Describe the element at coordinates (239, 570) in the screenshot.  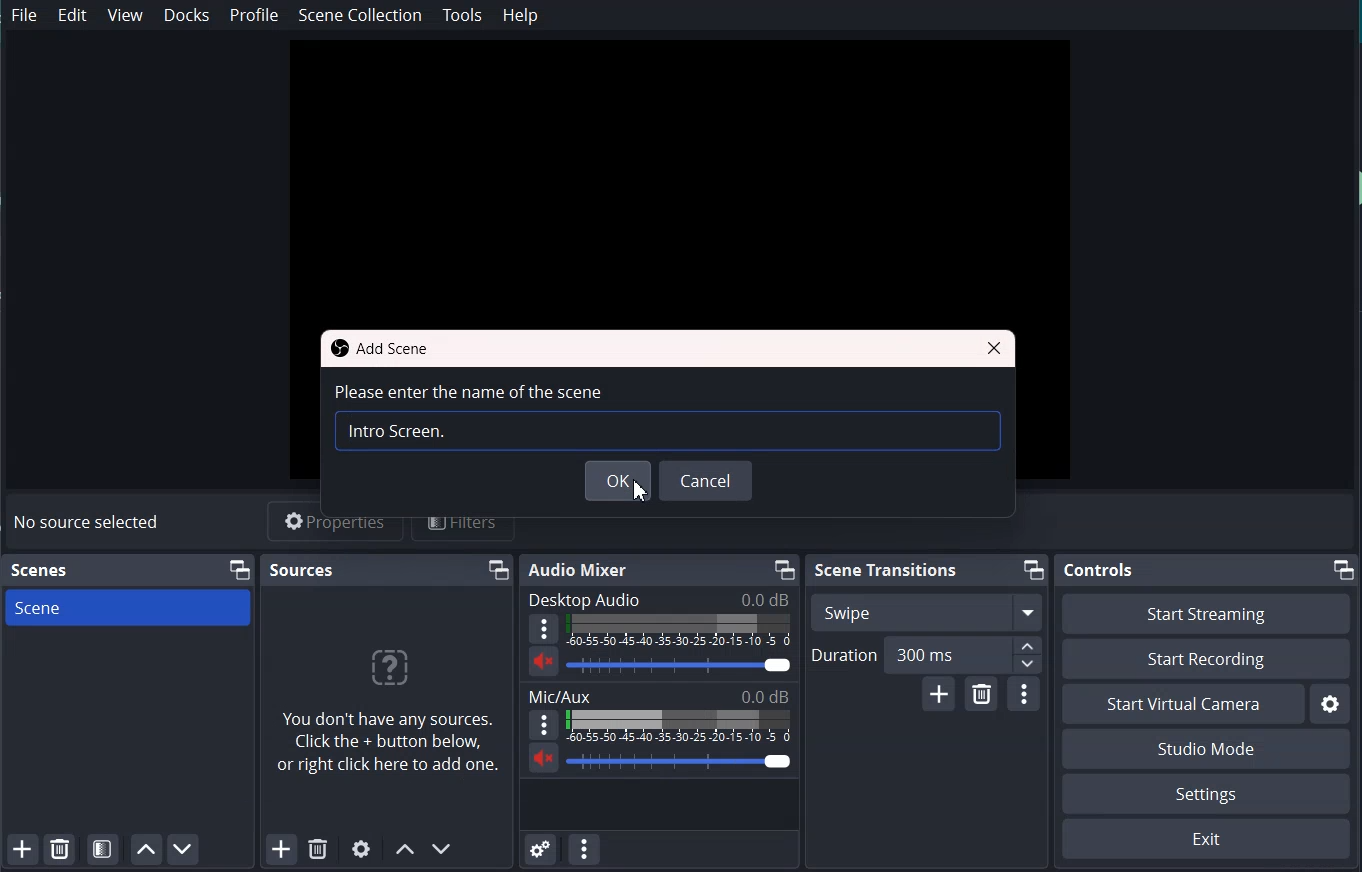
I see `Maximize` at that location.